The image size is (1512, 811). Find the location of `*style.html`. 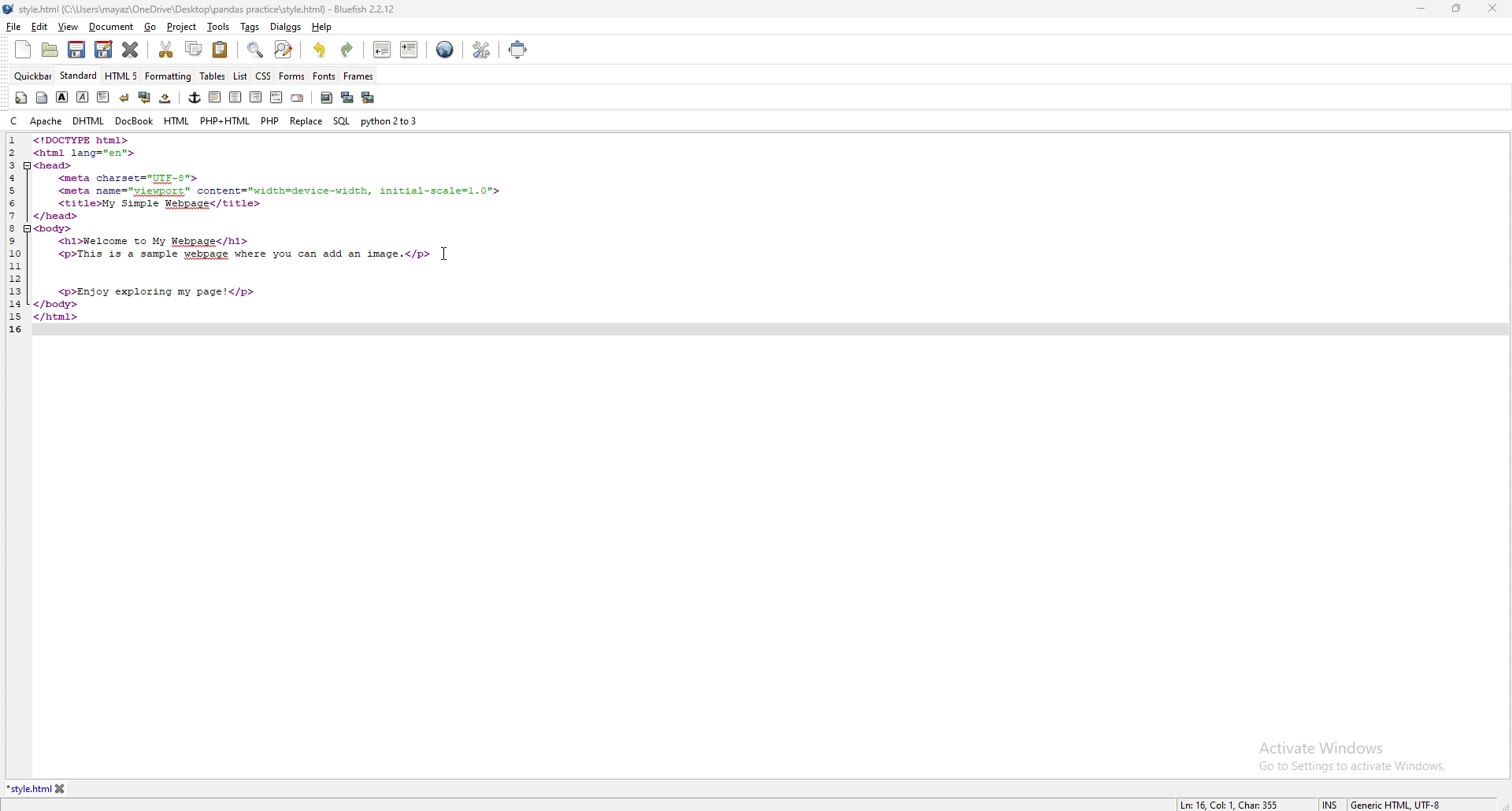

*style.html is located at coordinates (28, 790).